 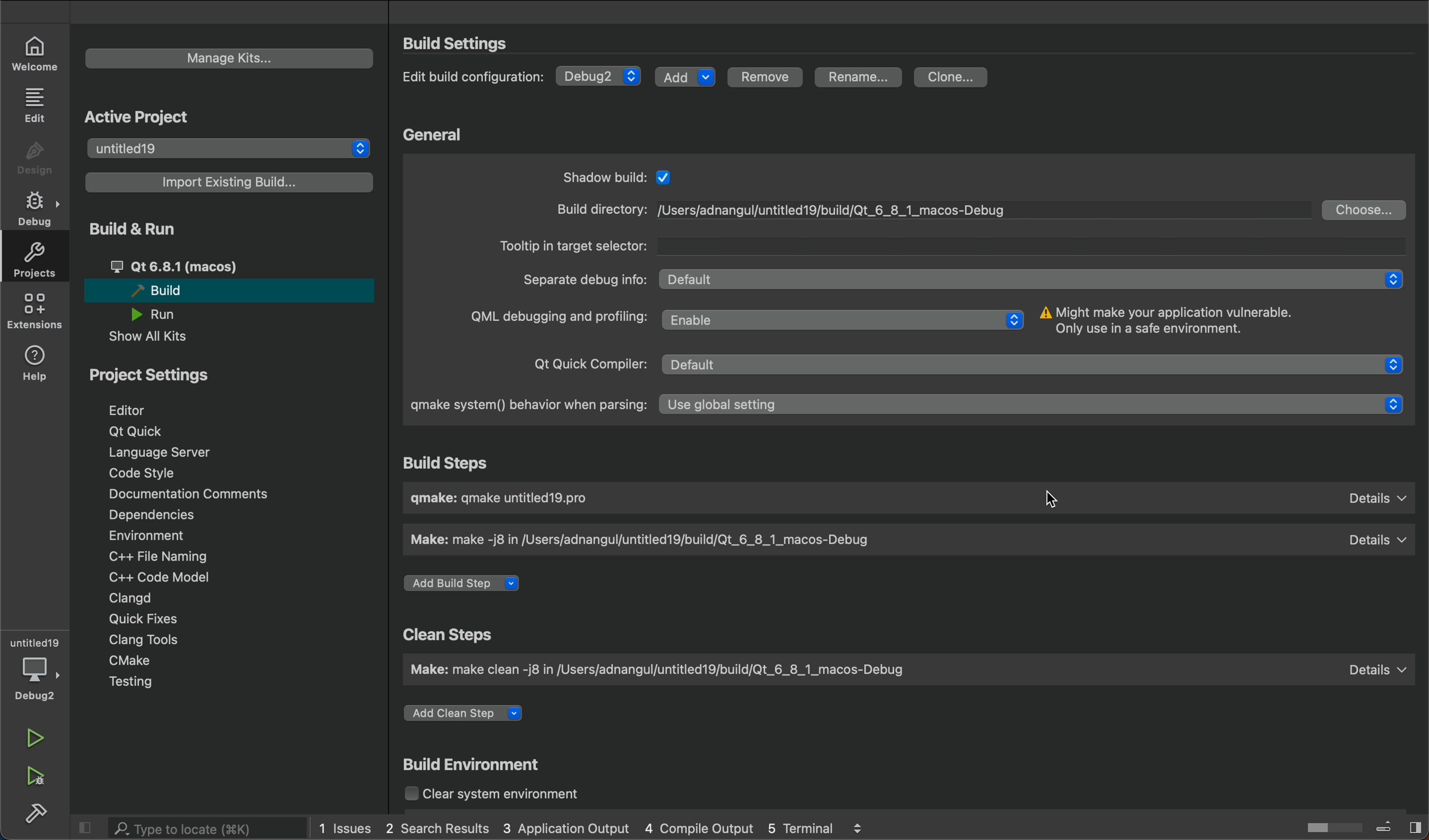 I want to click on qt quick, so click(x=139, y=432).